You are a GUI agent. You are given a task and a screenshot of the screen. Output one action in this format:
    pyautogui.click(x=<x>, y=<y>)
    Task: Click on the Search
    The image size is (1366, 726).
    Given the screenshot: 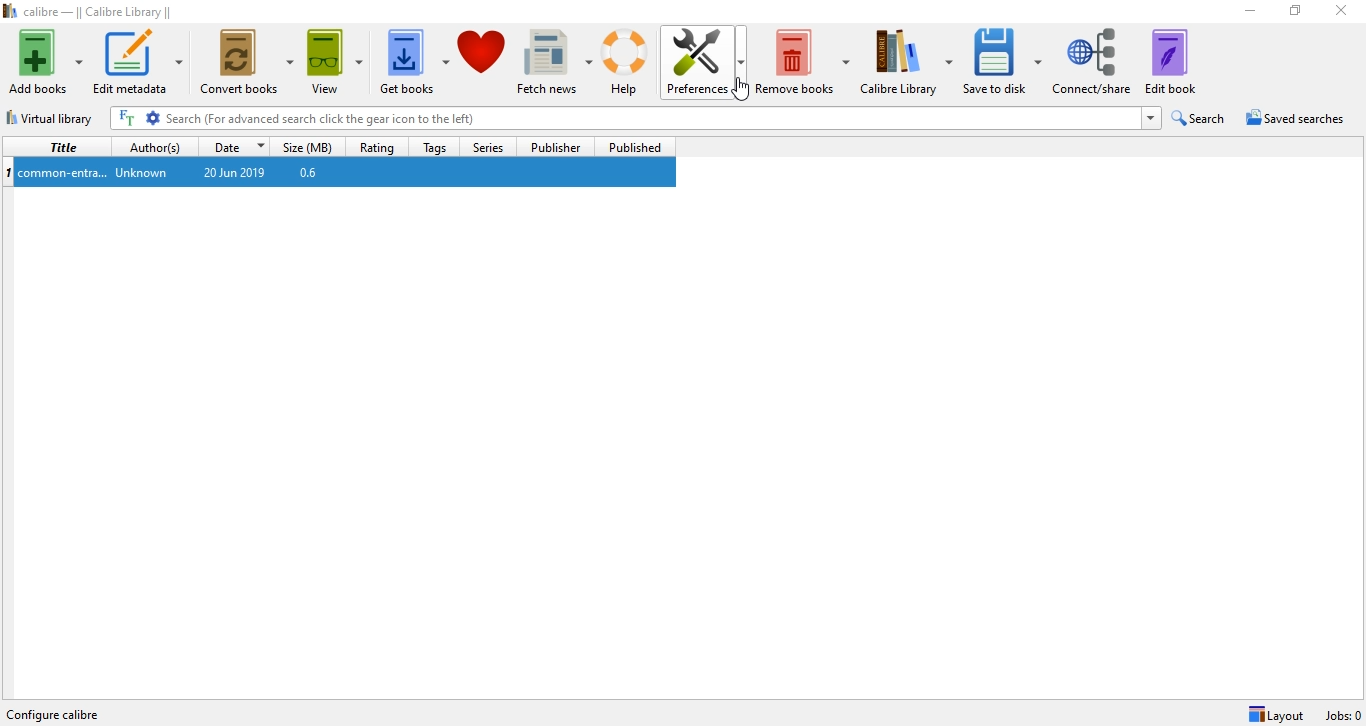 What is the action you would take?
    pyautogui.click(x=1201, y=118)
    